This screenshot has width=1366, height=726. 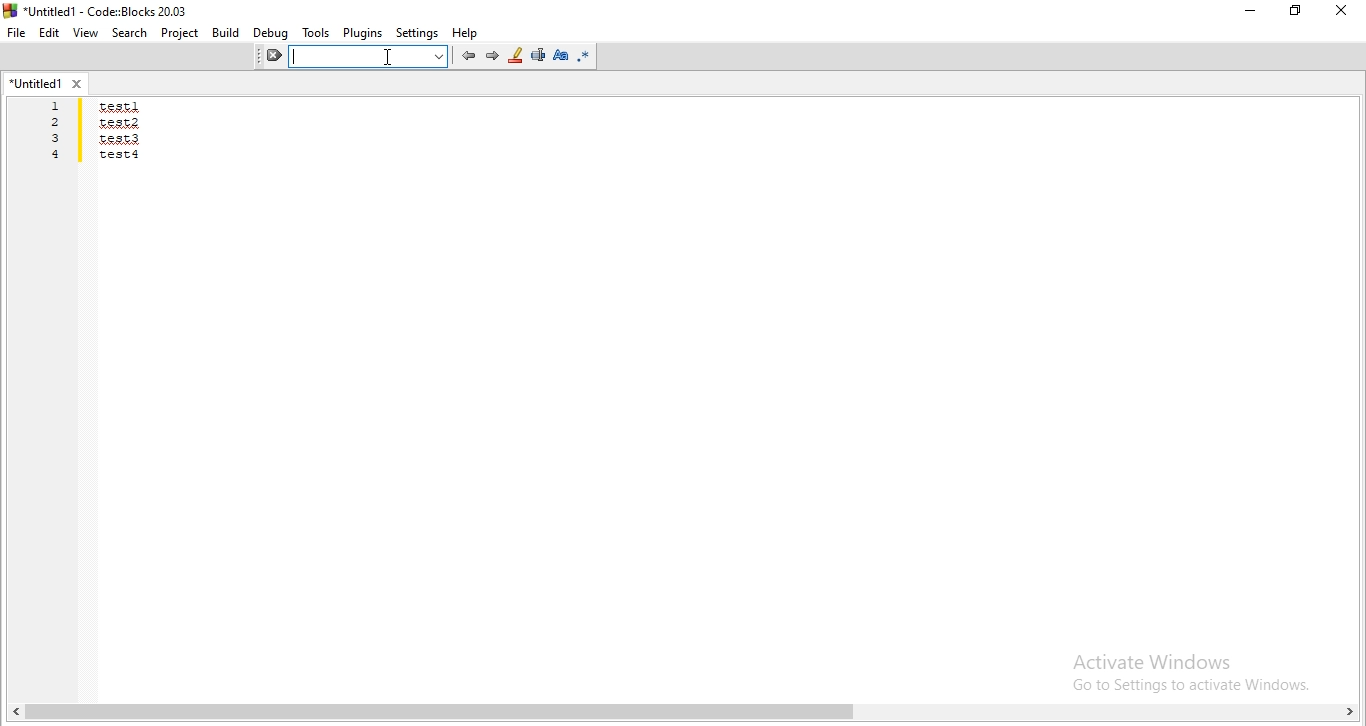 What do you see at coordinates (682, 715) in the screenshot?
I see `scrollbar` at bounding box center [682, 715].